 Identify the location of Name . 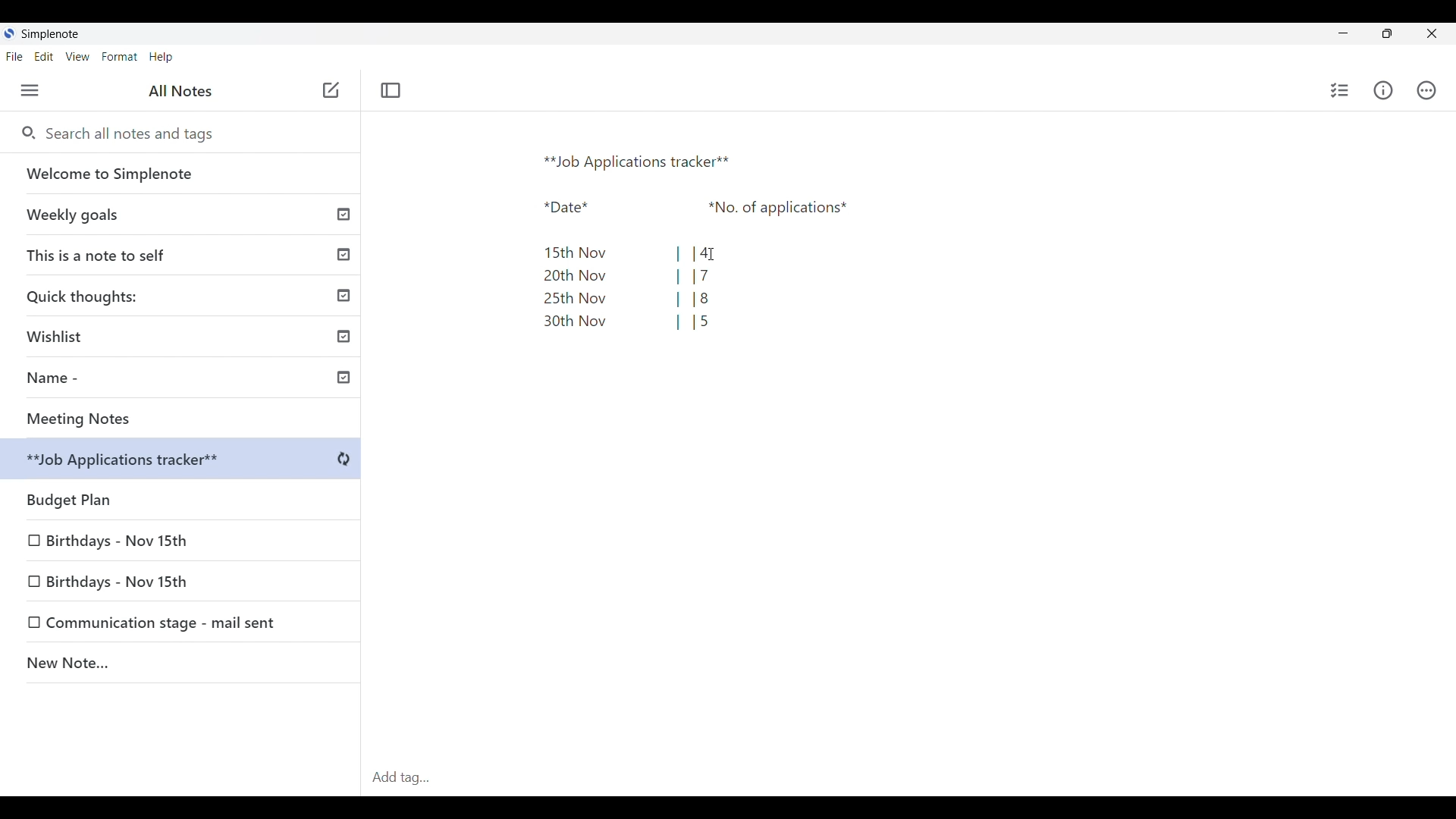
(187, 380).